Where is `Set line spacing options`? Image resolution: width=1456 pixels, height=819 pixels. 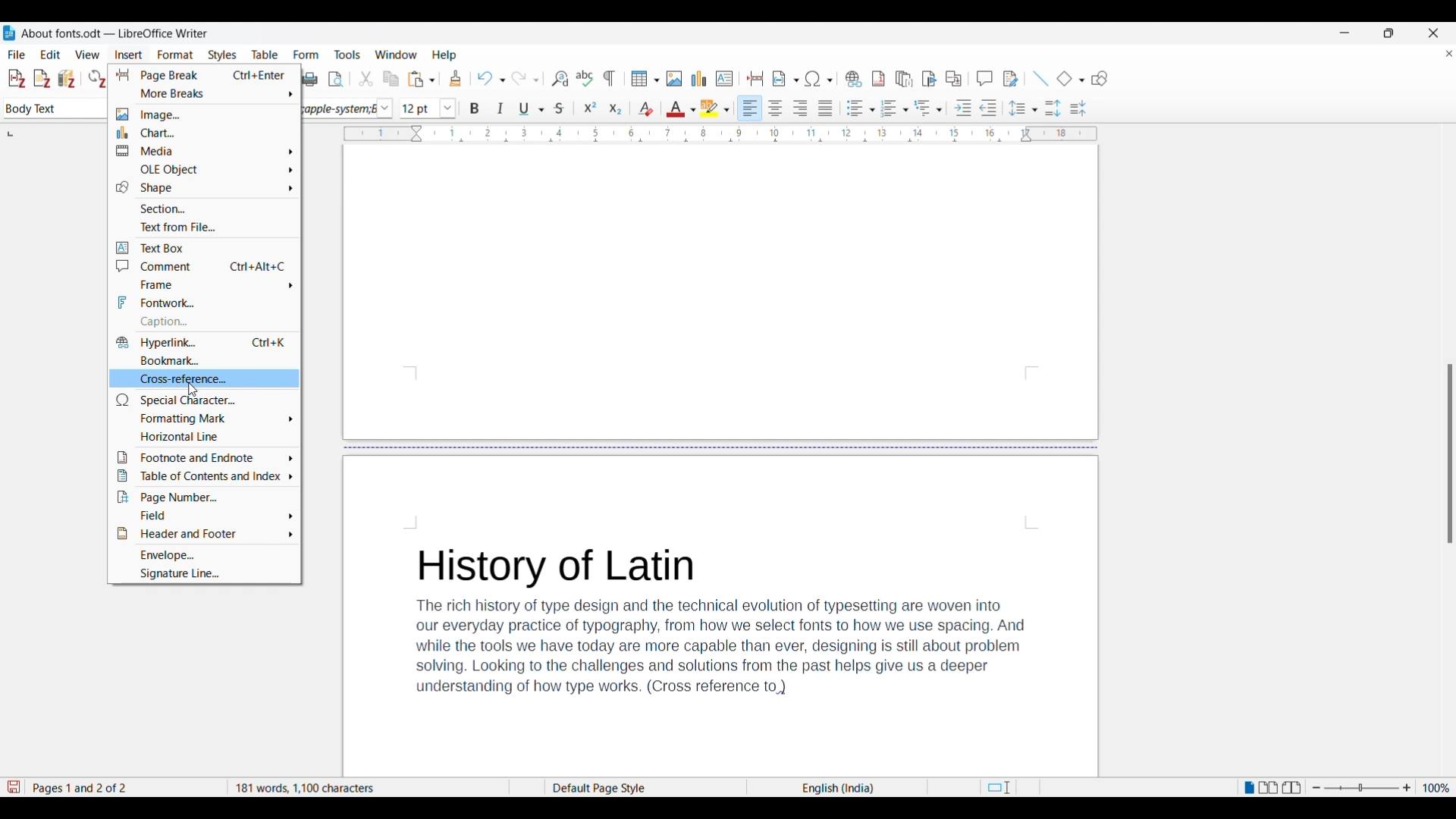
Set line spacing options is located at coordinates (1023, 108).